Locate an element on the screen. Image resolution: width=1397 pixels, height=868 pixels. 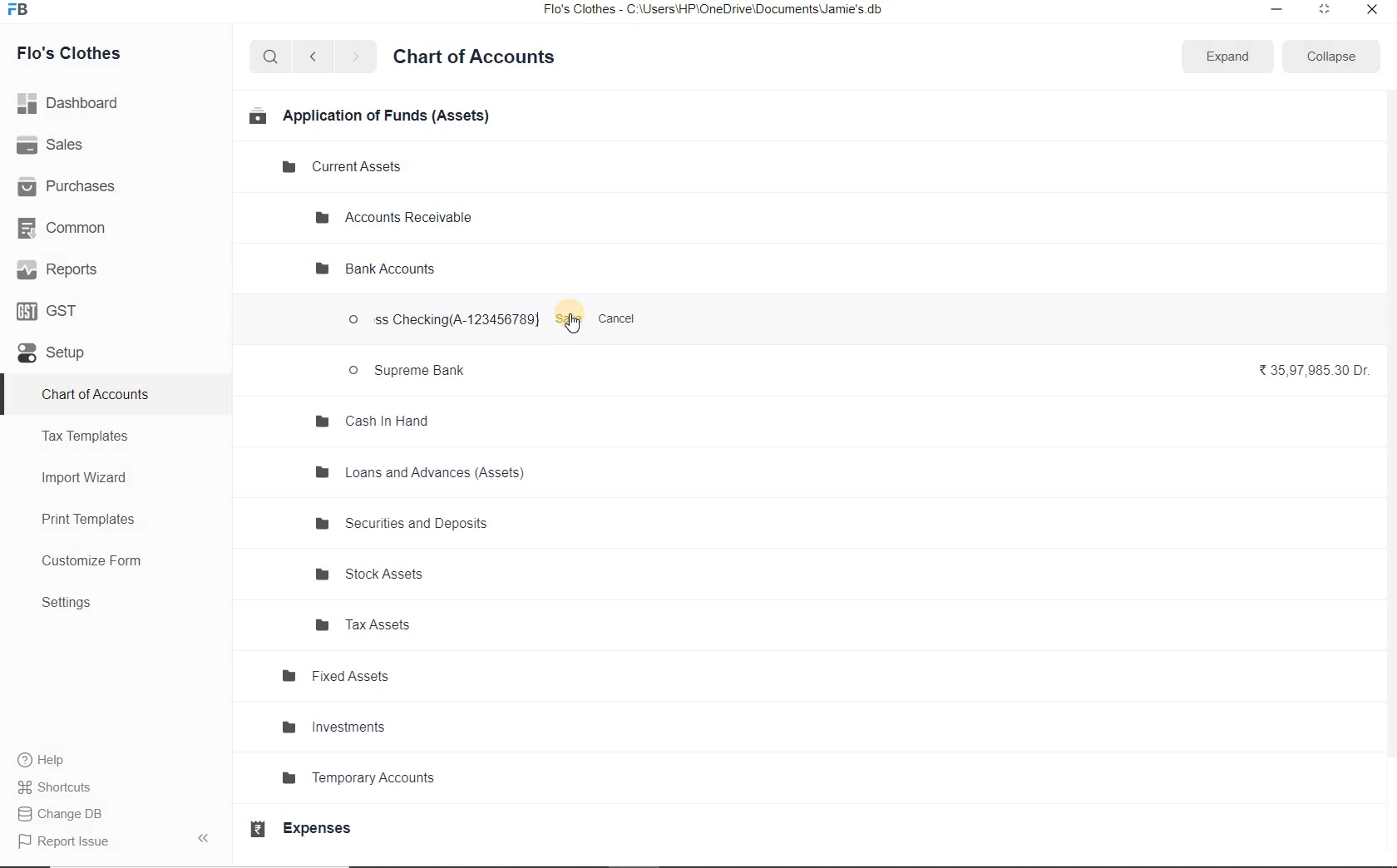
Temporary Accounts is located at coordinates (404, 782).